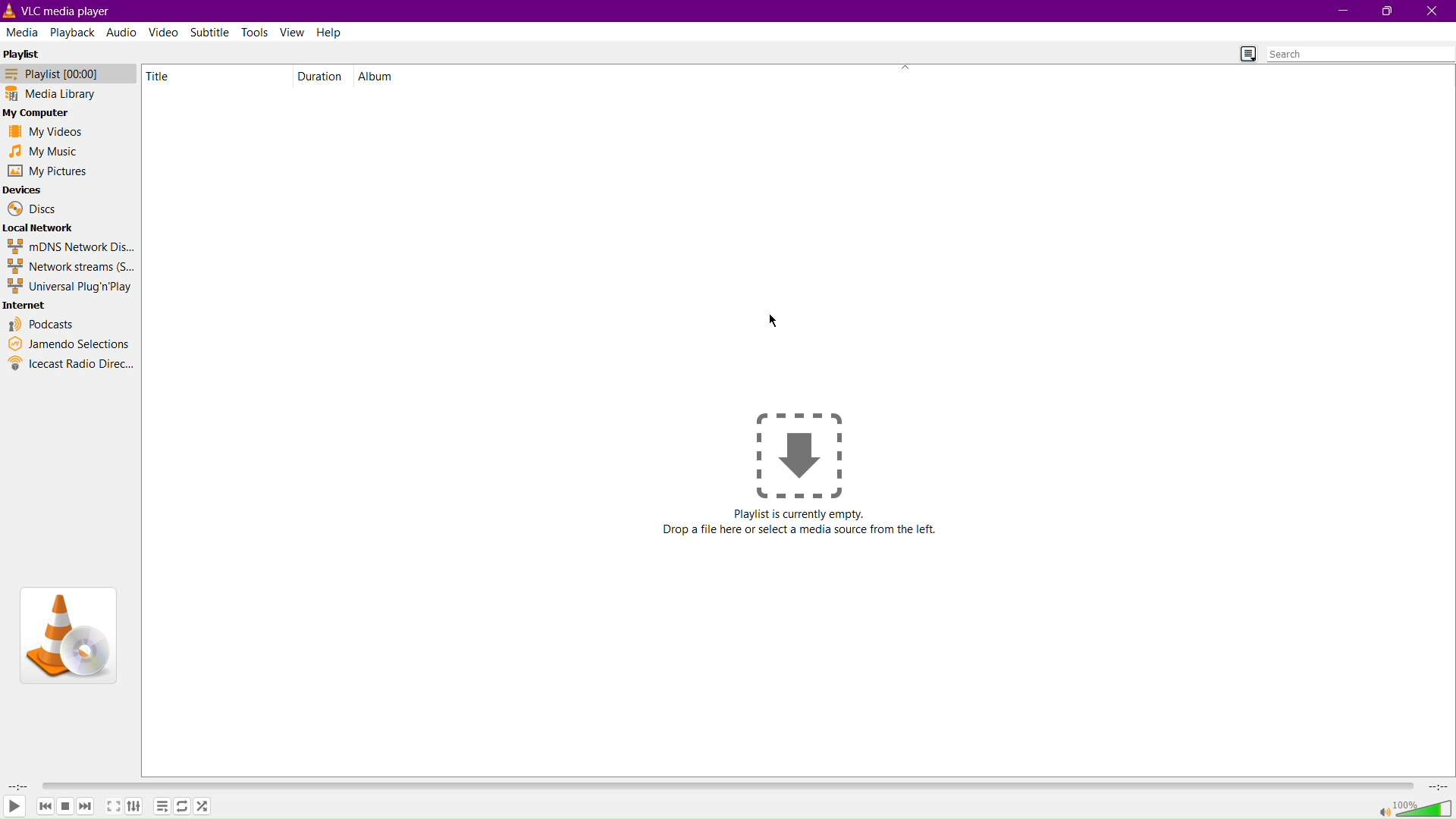 The height and width of the screenshot is (819, 1456). I want to click on Skip back, so click(45, 806).